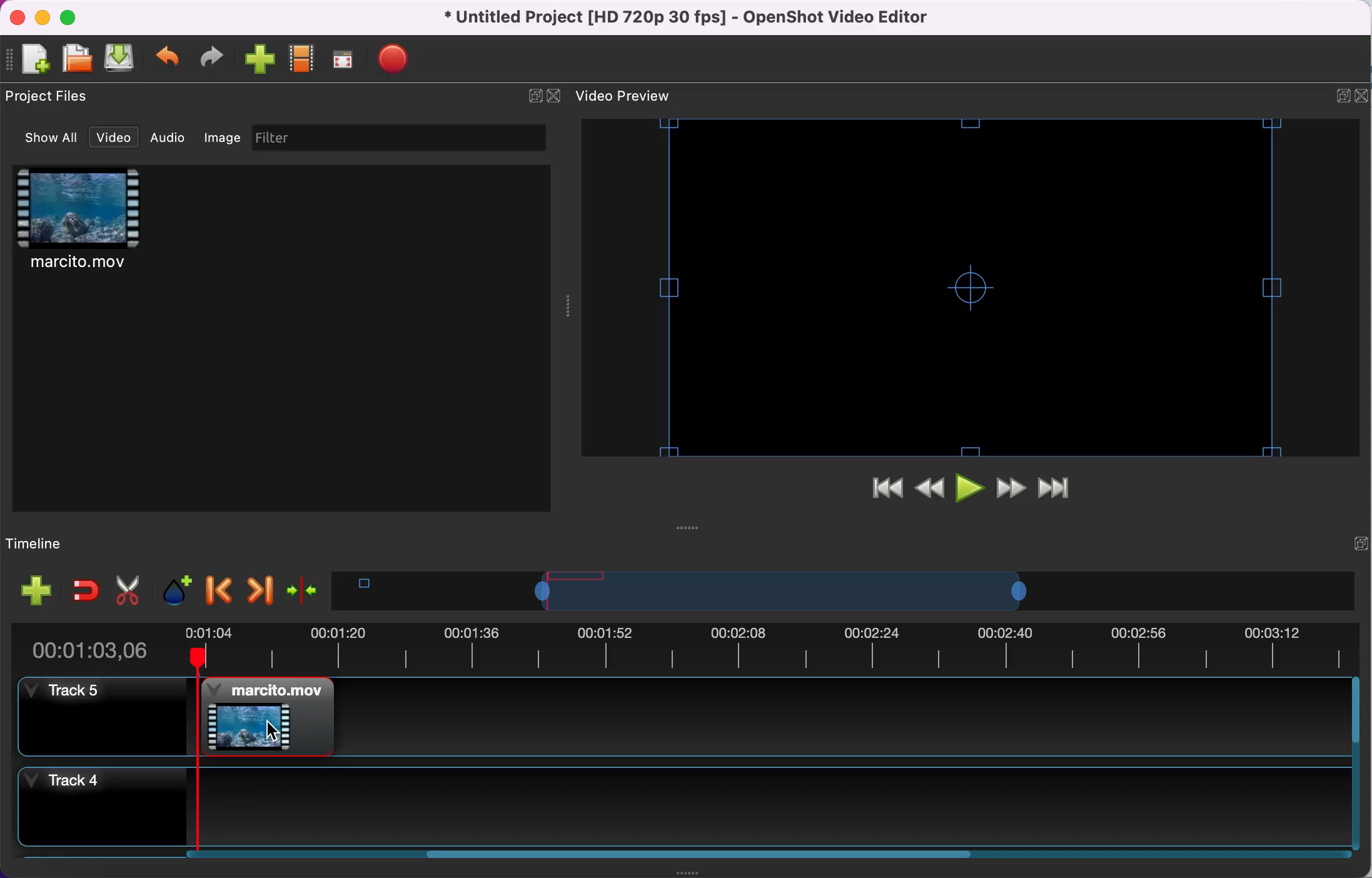 The image size is (1372, 878). Describe the element at coordinates (783, 590) in the screenshot. I see `timeline` at that location.